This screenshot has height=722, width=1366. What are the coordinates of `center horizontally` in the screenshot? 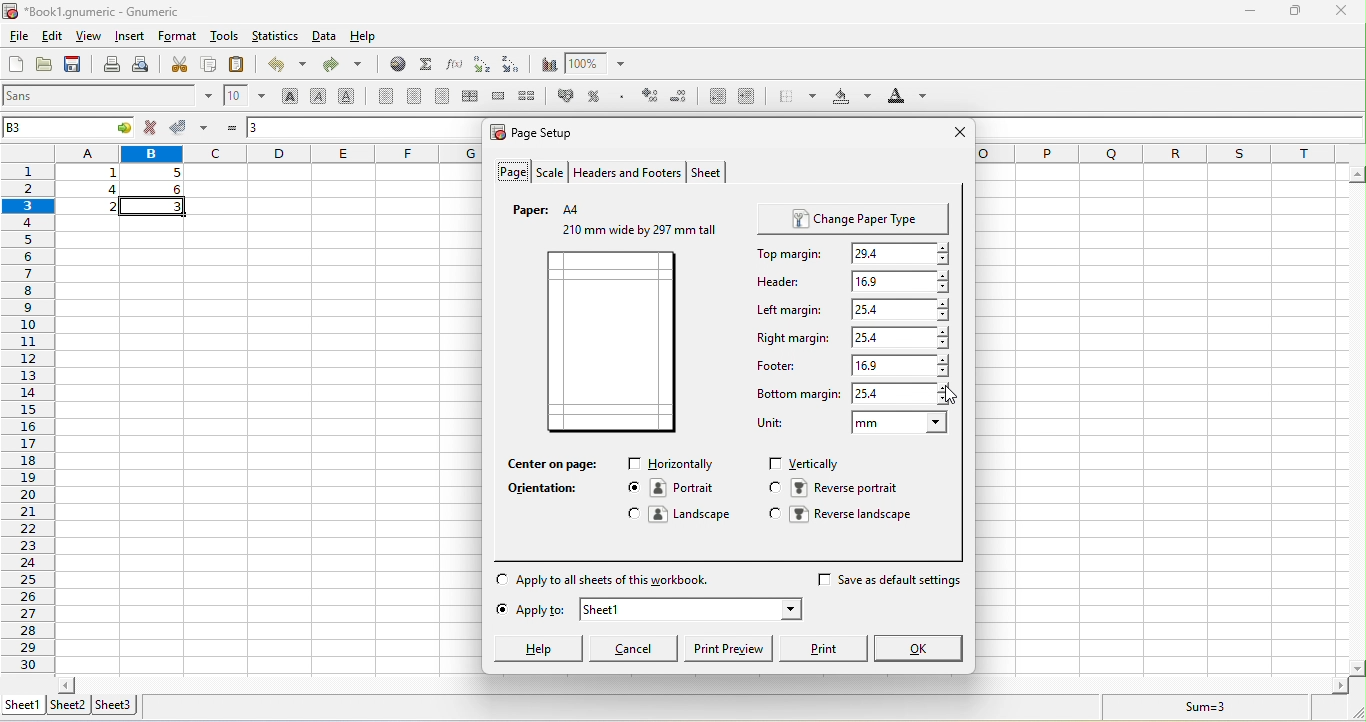 It's located at (468, 97).